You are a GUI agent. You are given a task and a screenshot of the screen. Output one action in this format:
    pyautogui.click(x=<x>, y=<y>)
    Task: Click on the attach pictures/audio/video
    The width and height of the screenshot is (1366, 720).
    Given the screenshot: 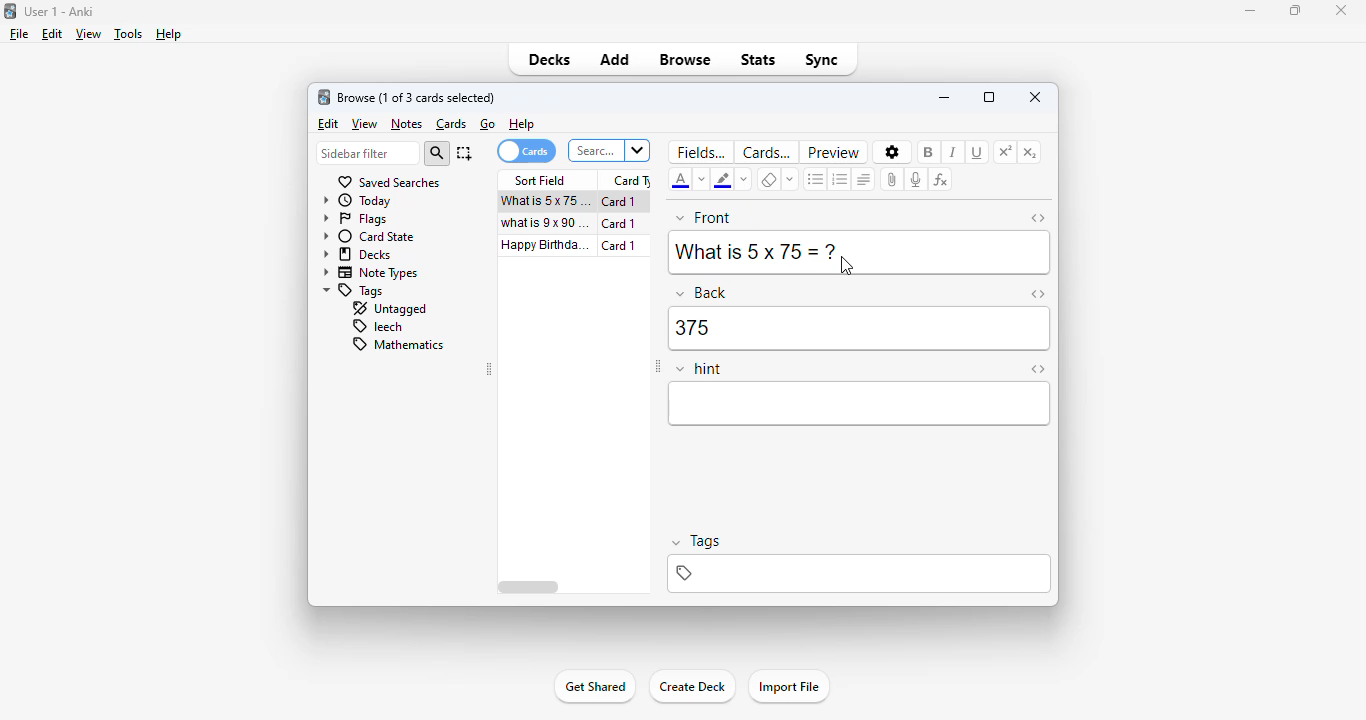 What is the action you would take?
    pyautogui.click(x=894, y=180)
    